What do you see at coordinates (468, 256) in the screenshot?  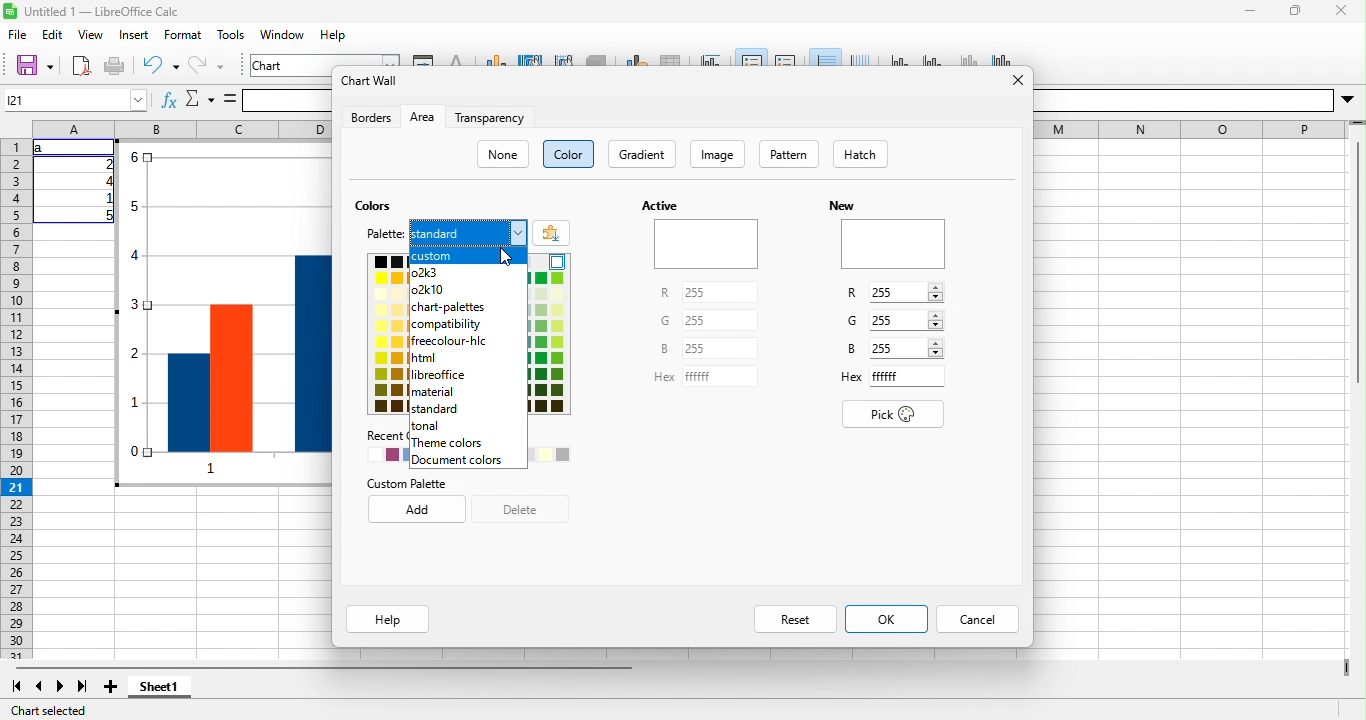 I see `custom highlighted` at bounding box center [468, 256].